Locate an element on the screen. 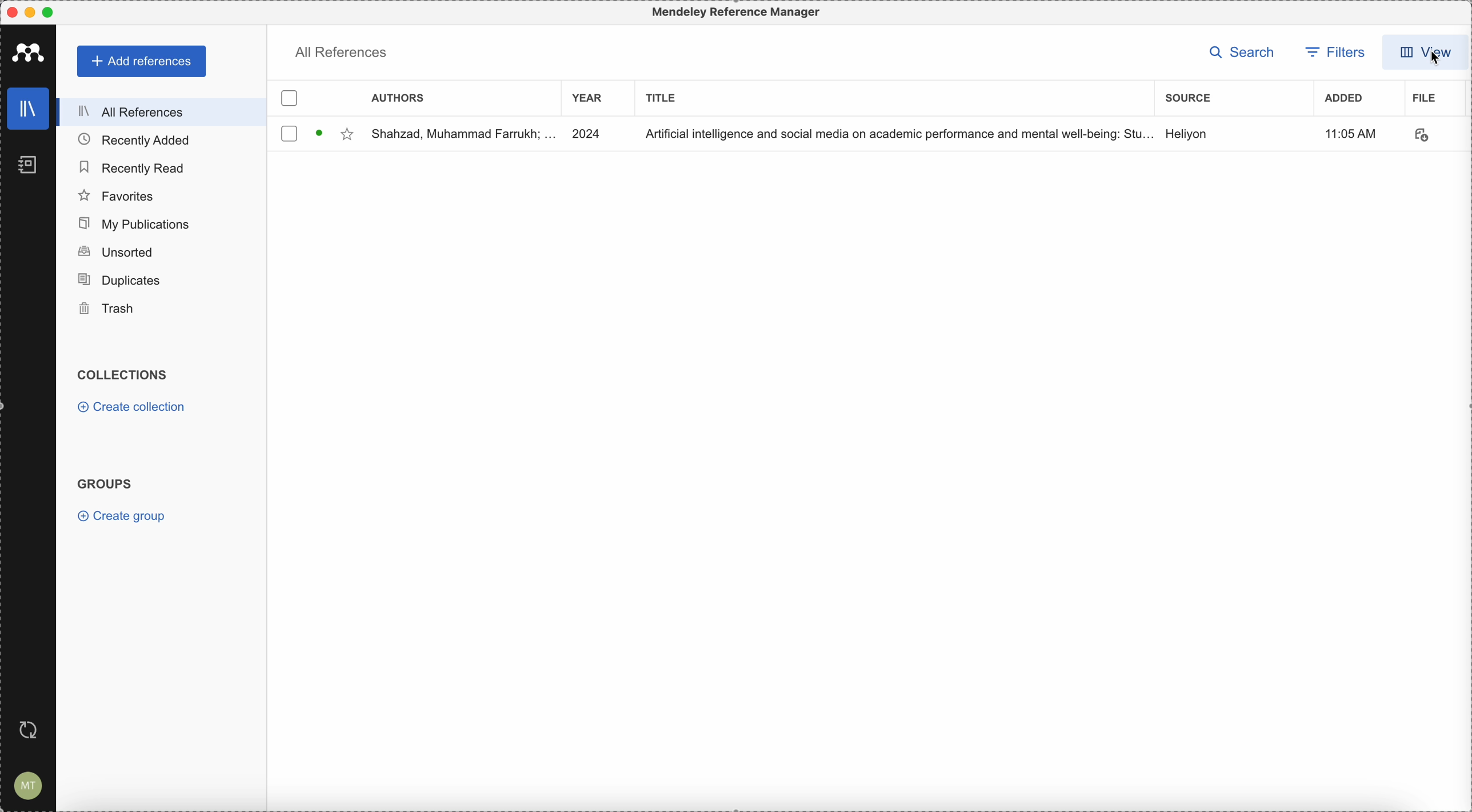 Image resolution: width=1472 pixels, height=812 pixels. view is located at coordinates (1426, 49).